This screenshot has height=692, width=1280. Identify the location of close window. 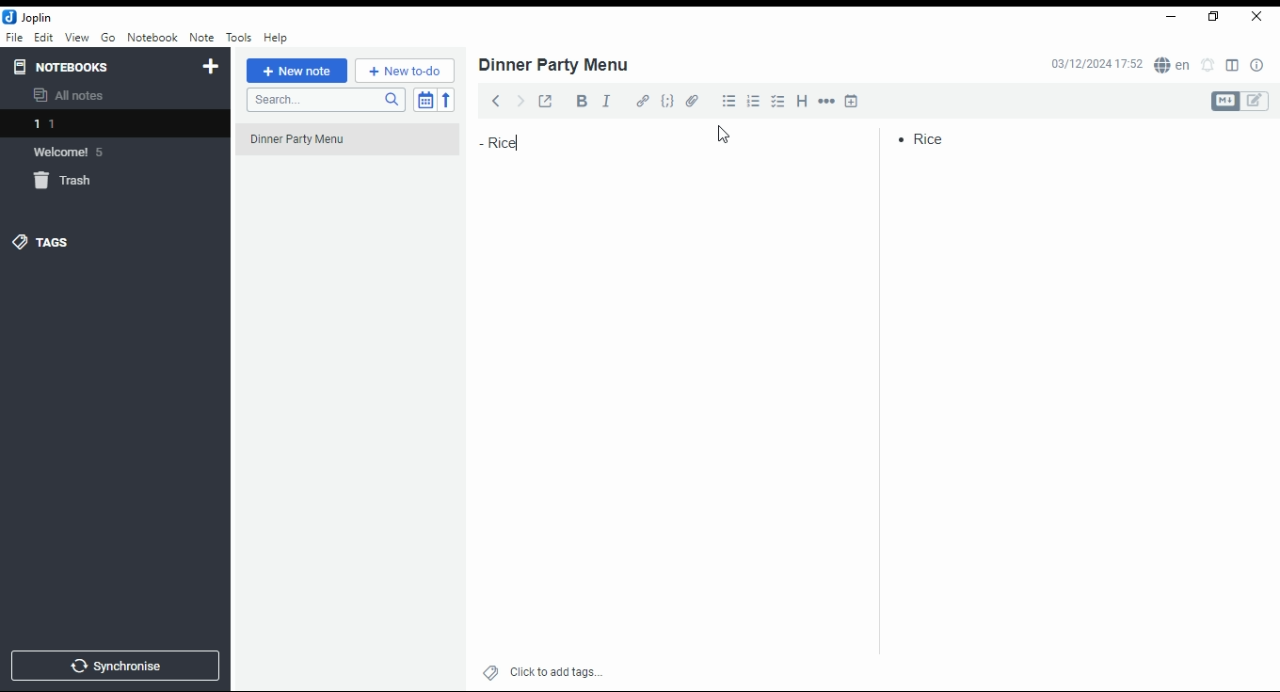
(1256, 18).